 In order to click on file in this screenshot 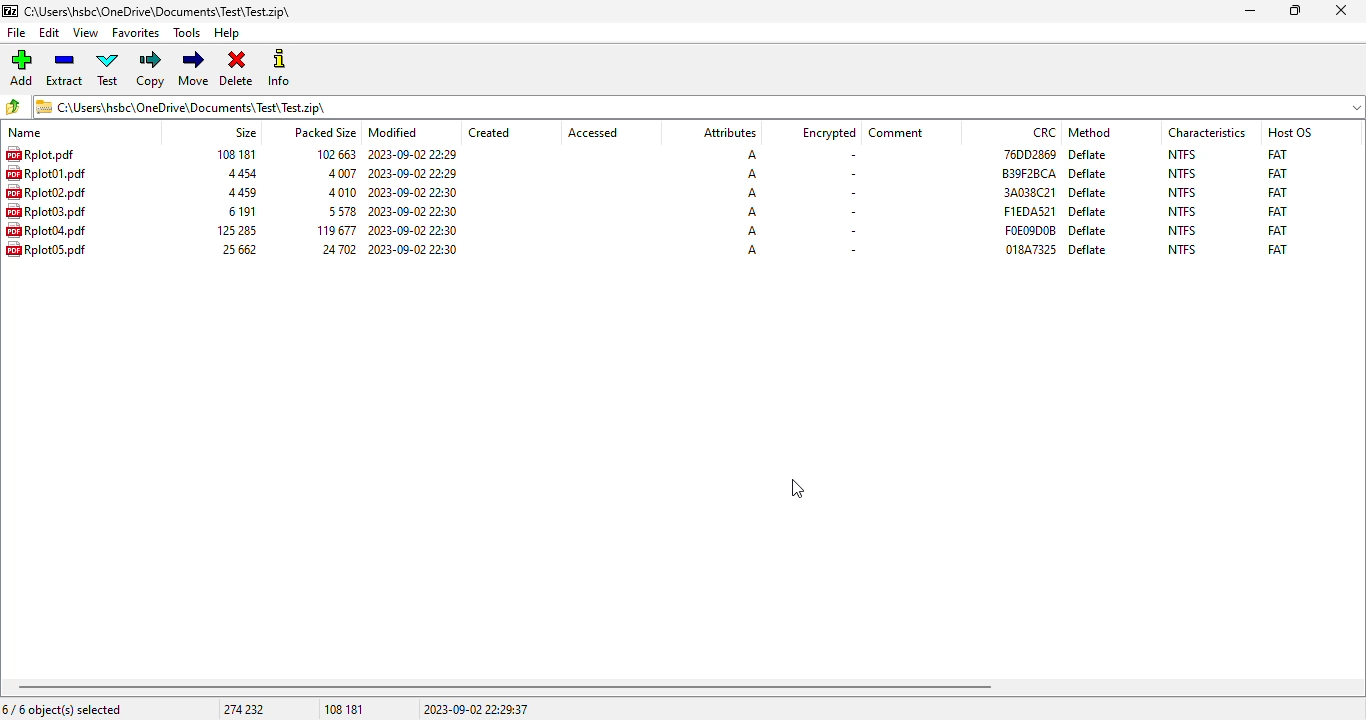, I will do `click(46, 192)`.